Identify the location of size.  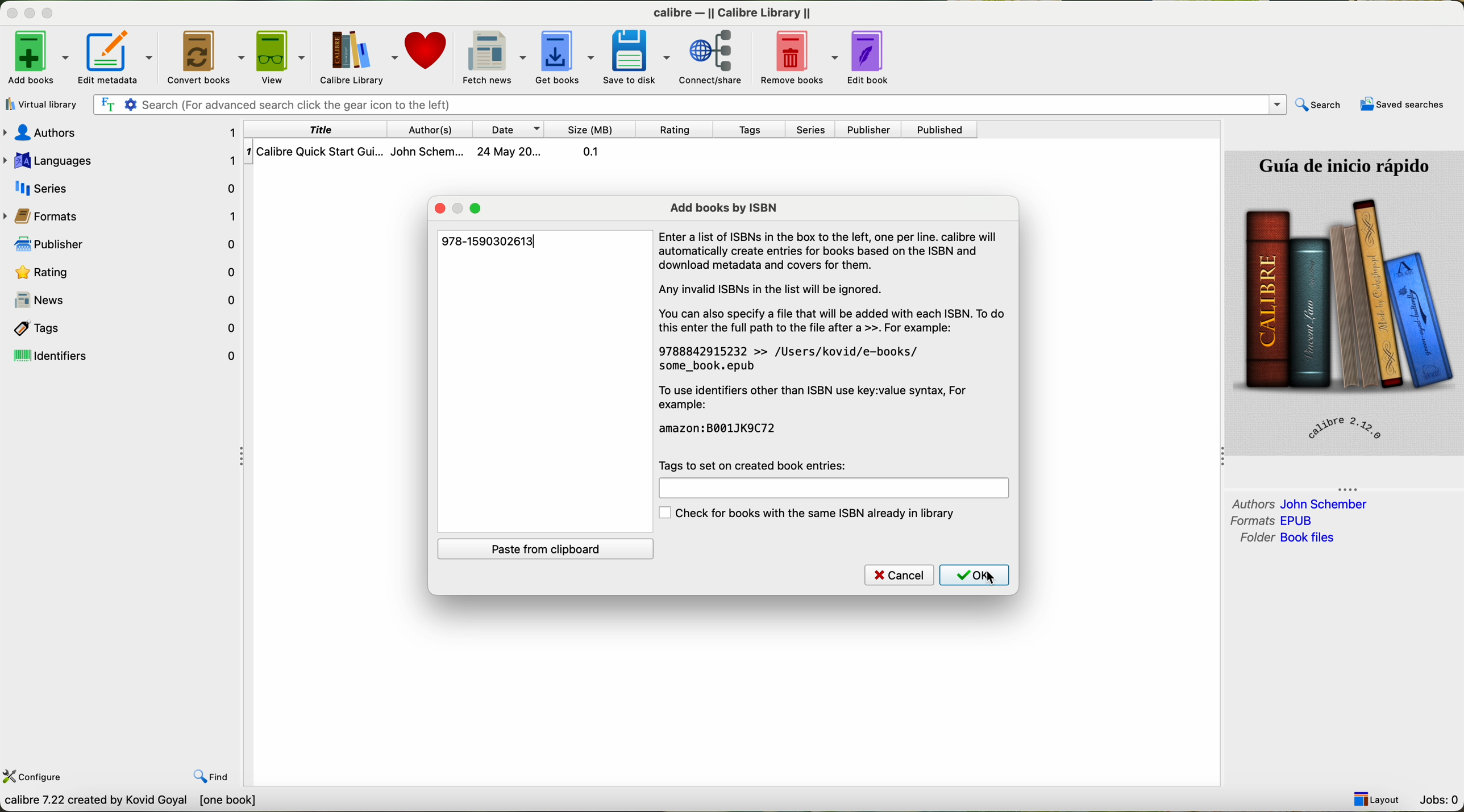
(593, 129).